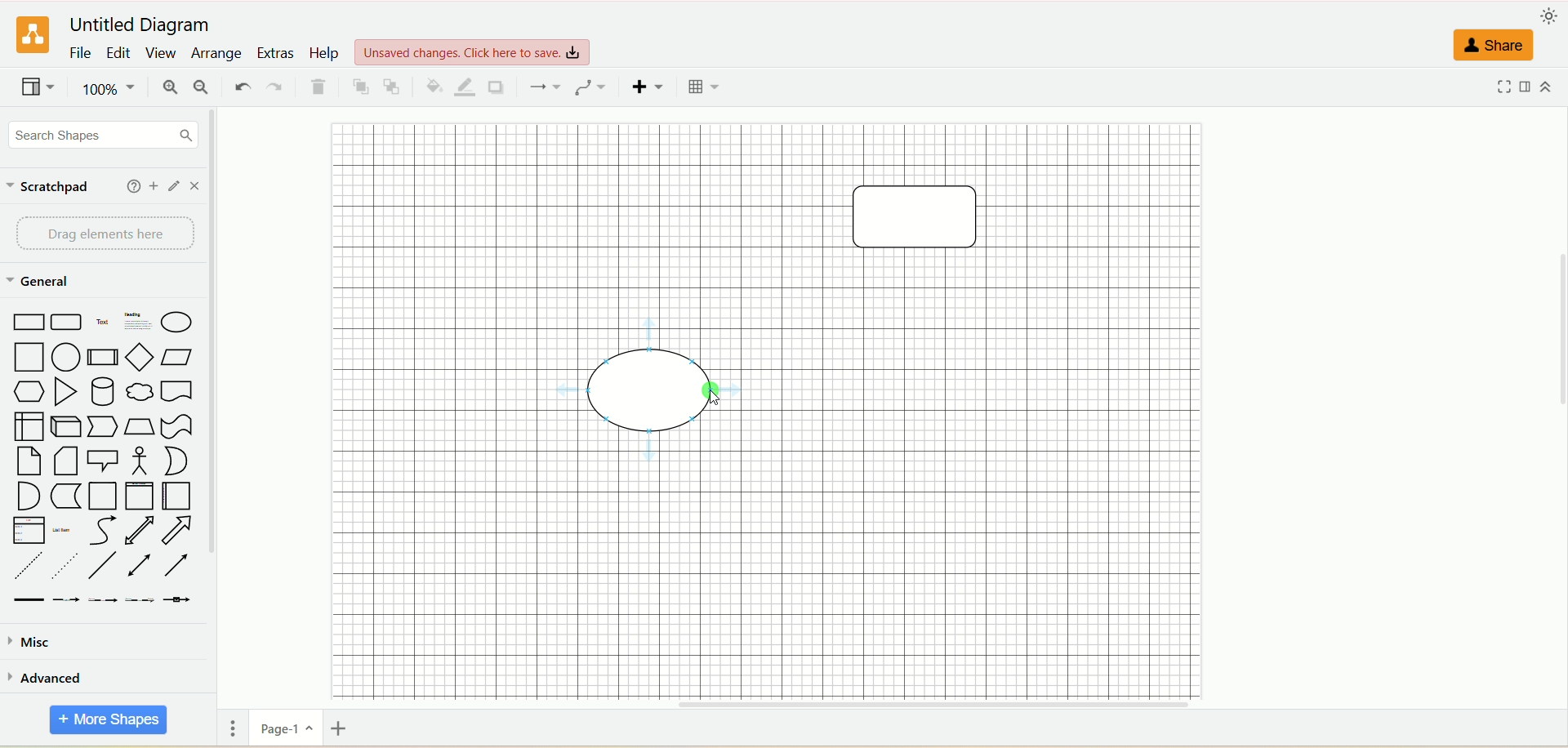  What do you see at coordinates (195, 186) in the screenshot?
I see `close` at bounding box center [195, 186].